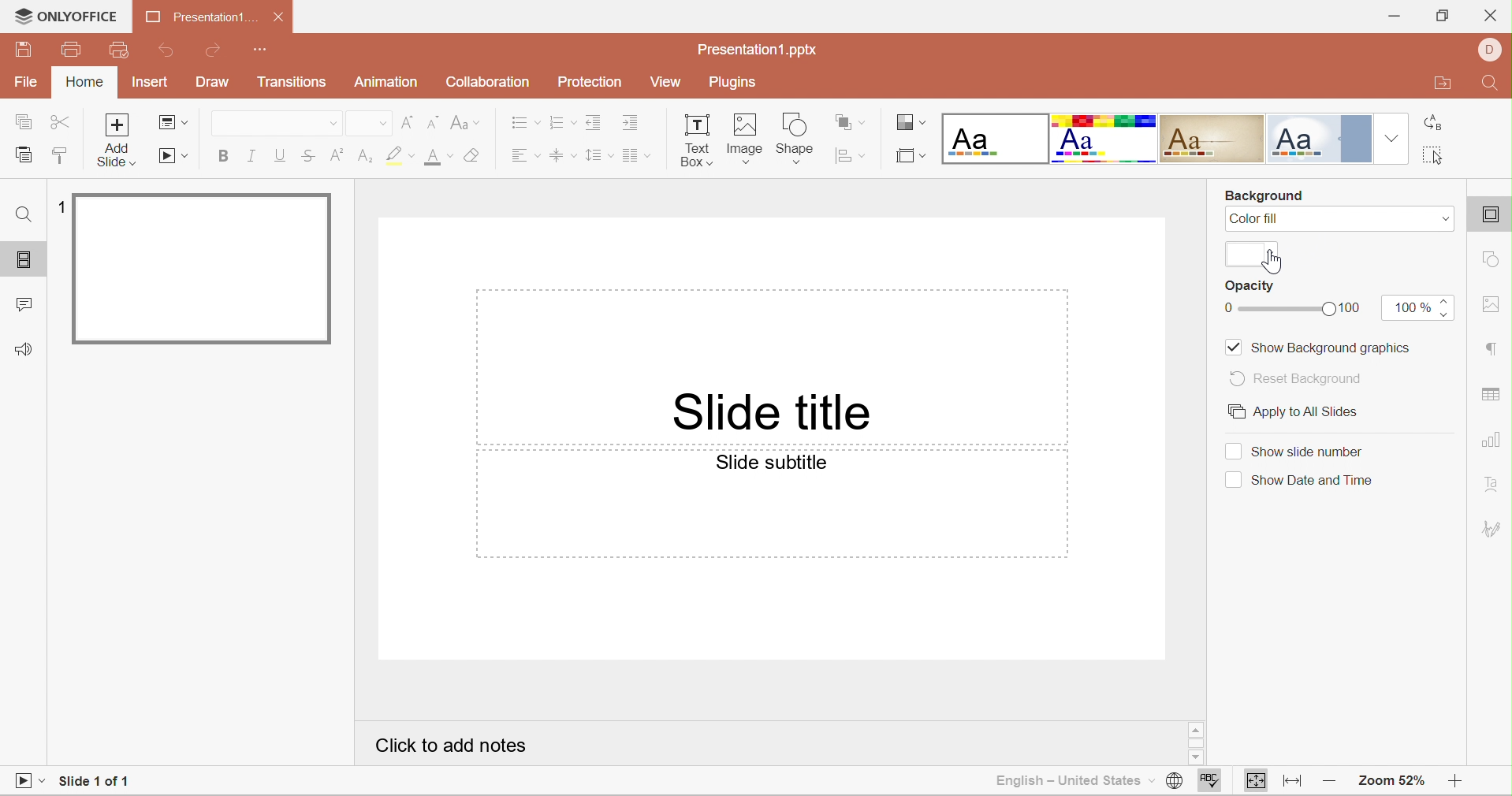 This screenshot has width=1512, height=796. What do you see at coordinates (215, 83) in the screenshot?
I see `Draw` at bounding box center [215, 83].